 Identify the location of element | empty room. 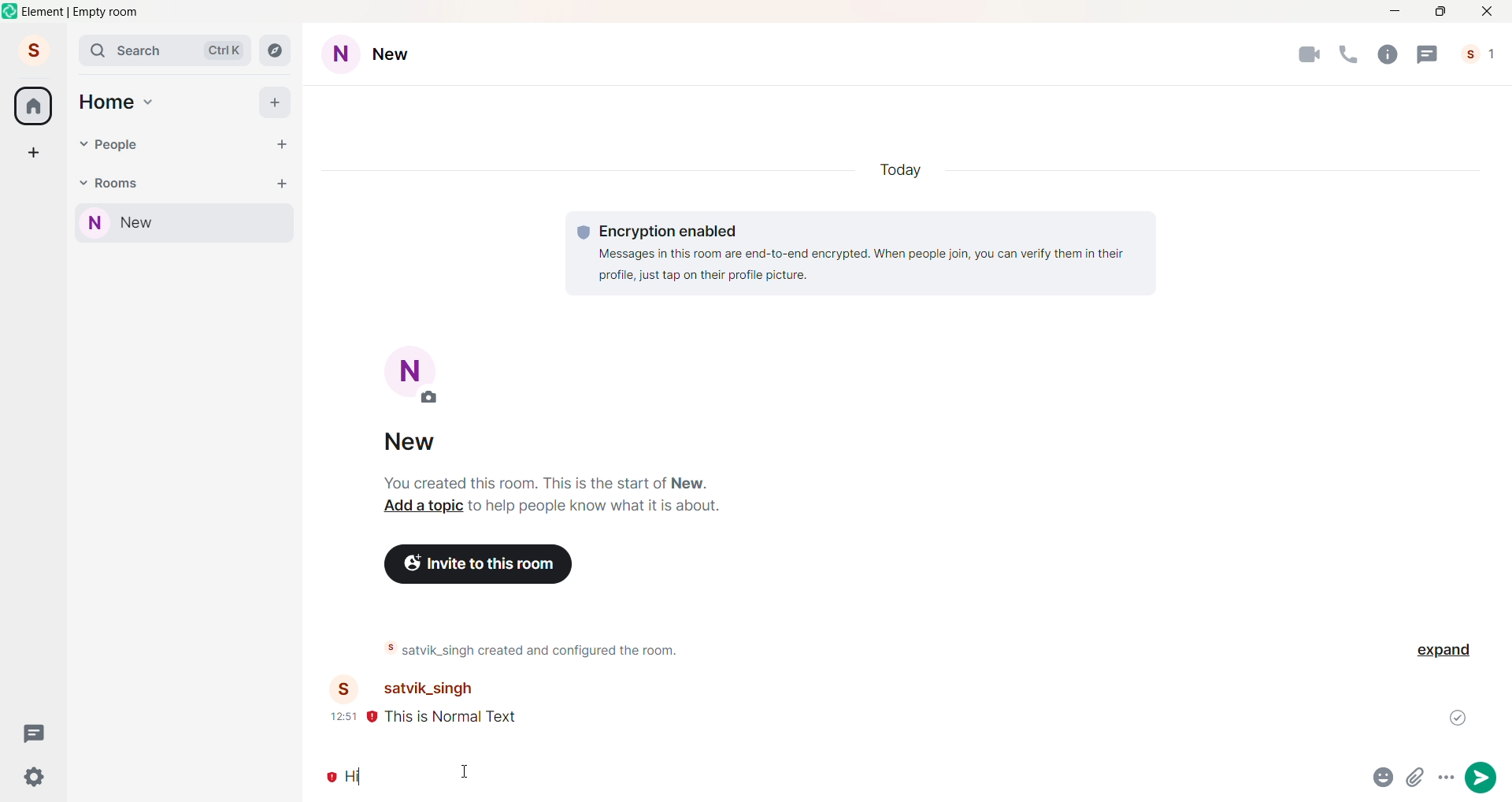
(81, 12).